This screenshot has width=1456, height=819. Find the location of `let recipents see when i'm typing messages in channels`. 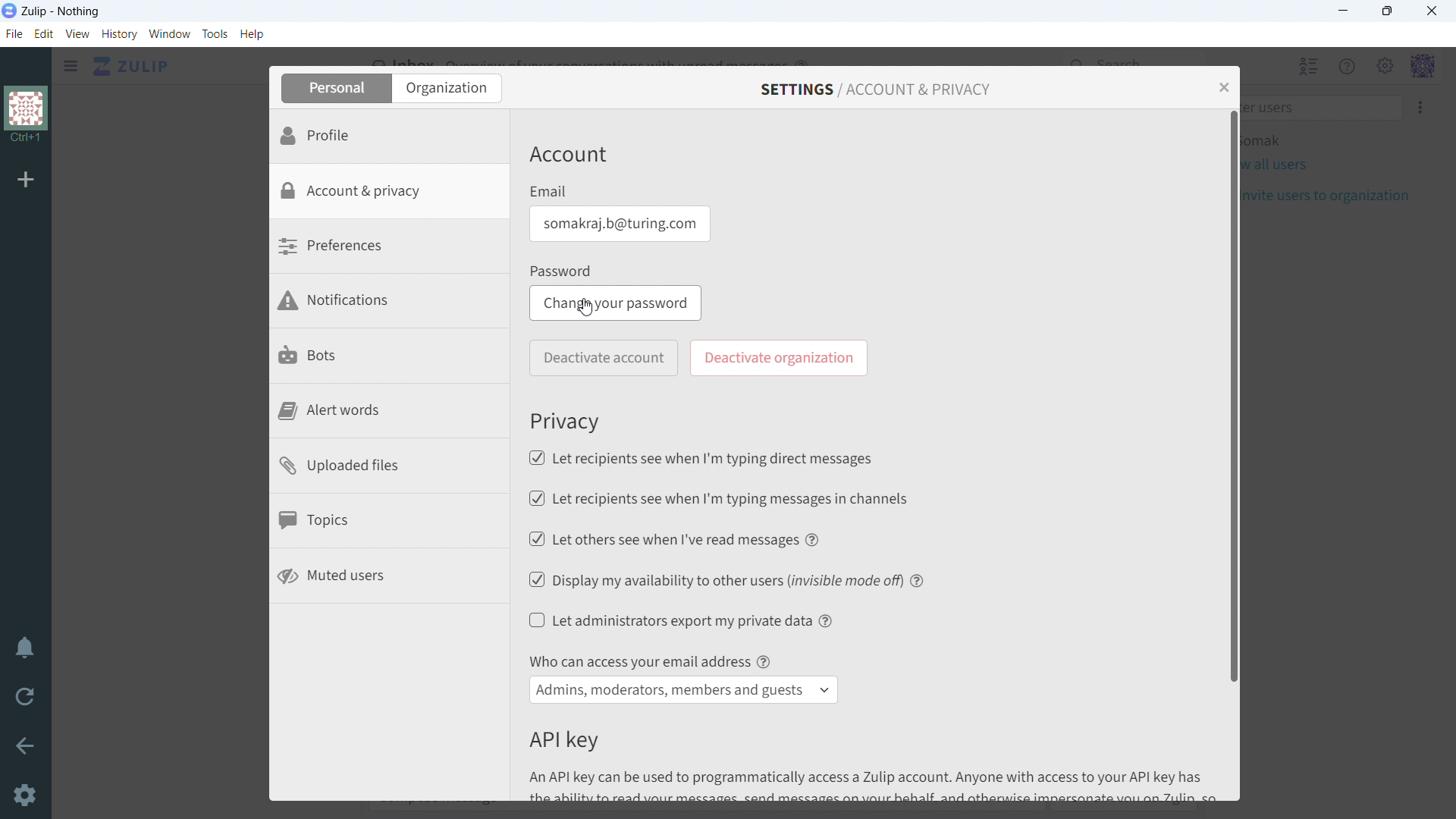

let recipents see when i'm typing messages in channels is located at coordinates (717, 498).